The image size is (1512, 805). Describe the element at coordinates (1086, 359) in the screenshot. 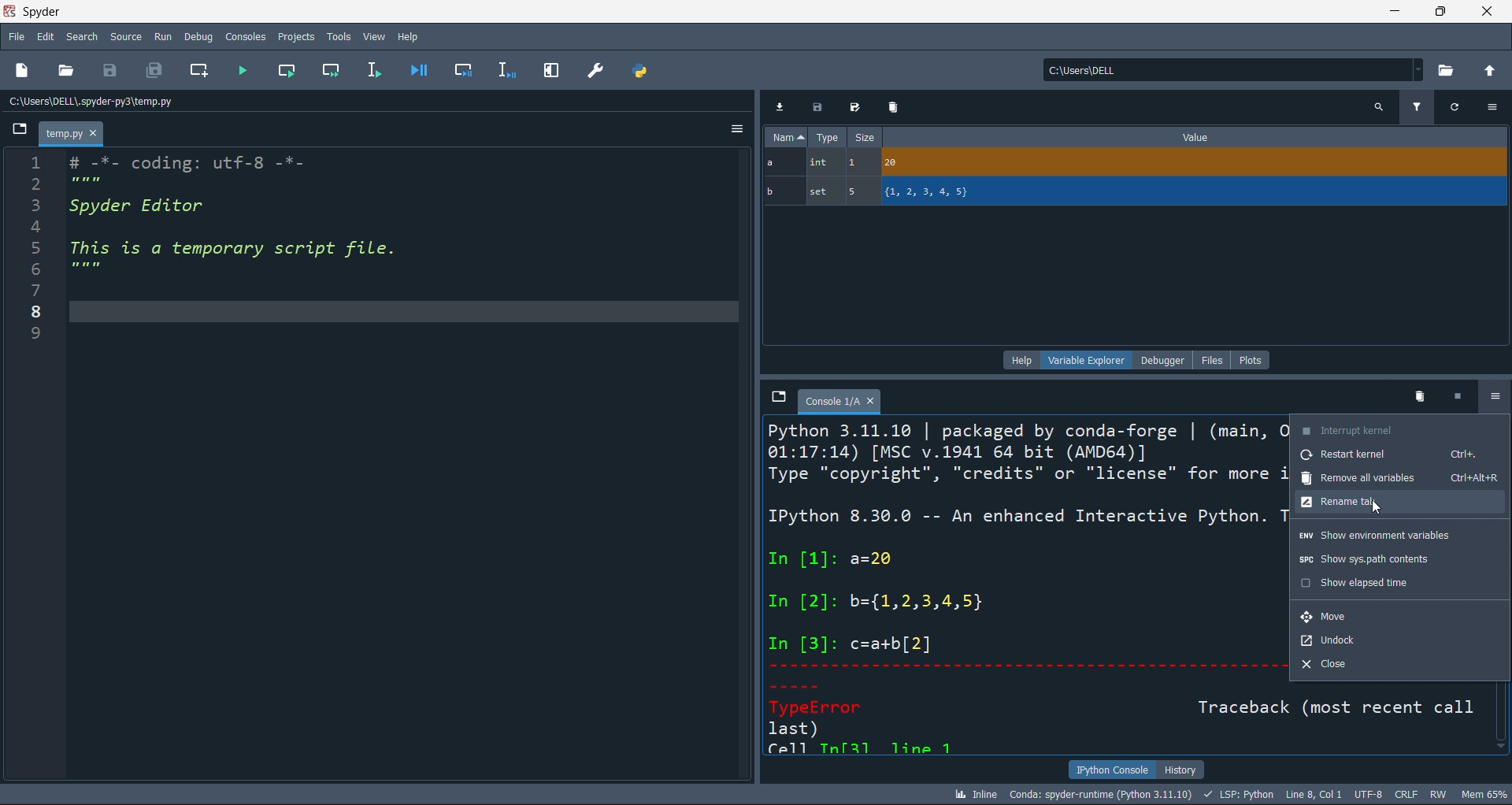

I see `variable explorer (selected))` at that location.